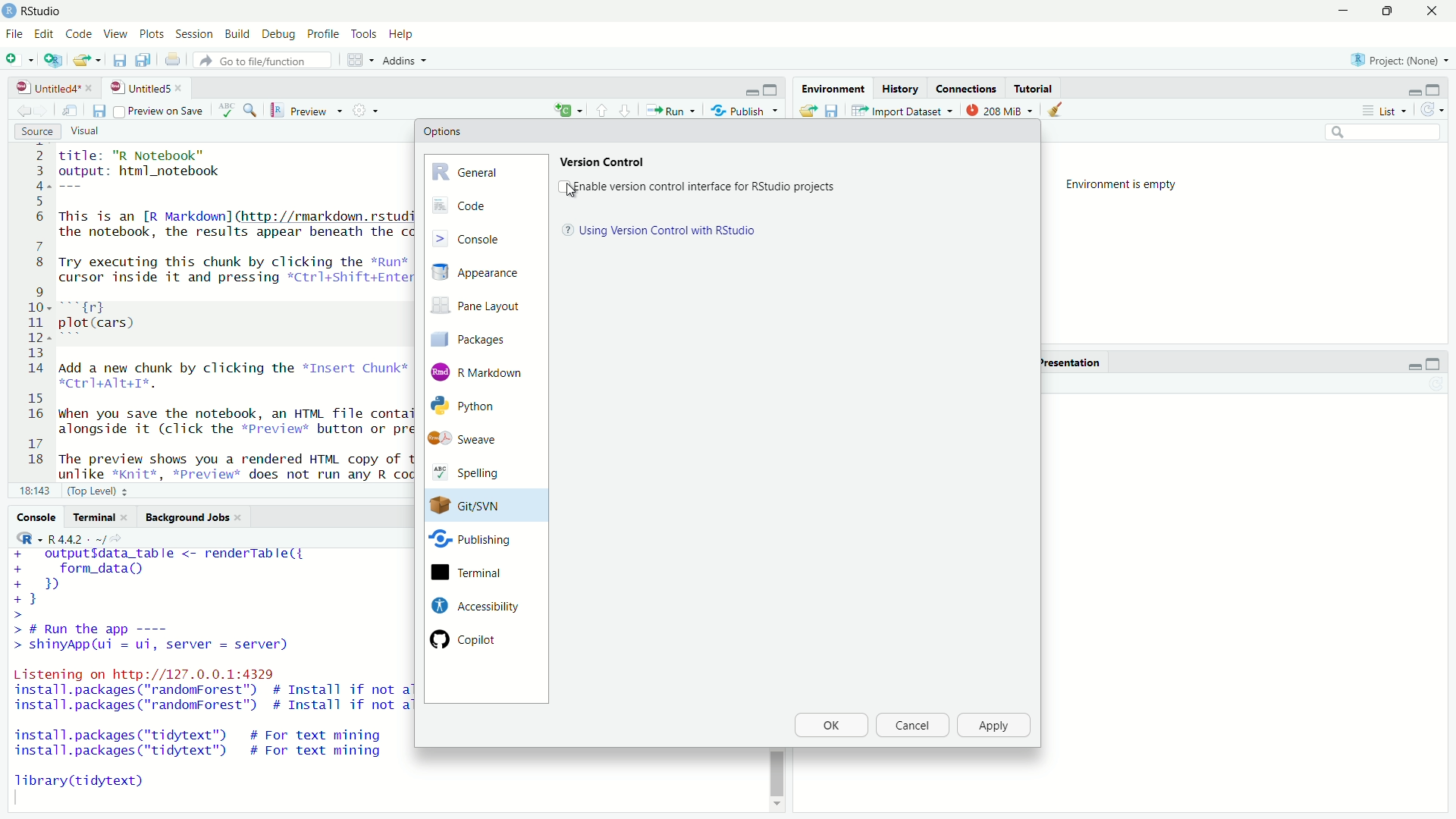 This screenshot has width=1456, height=819. What do you see at coordinates (307, 111) in the screenshot?
I see `Preview` at bounding box center [307, 111].